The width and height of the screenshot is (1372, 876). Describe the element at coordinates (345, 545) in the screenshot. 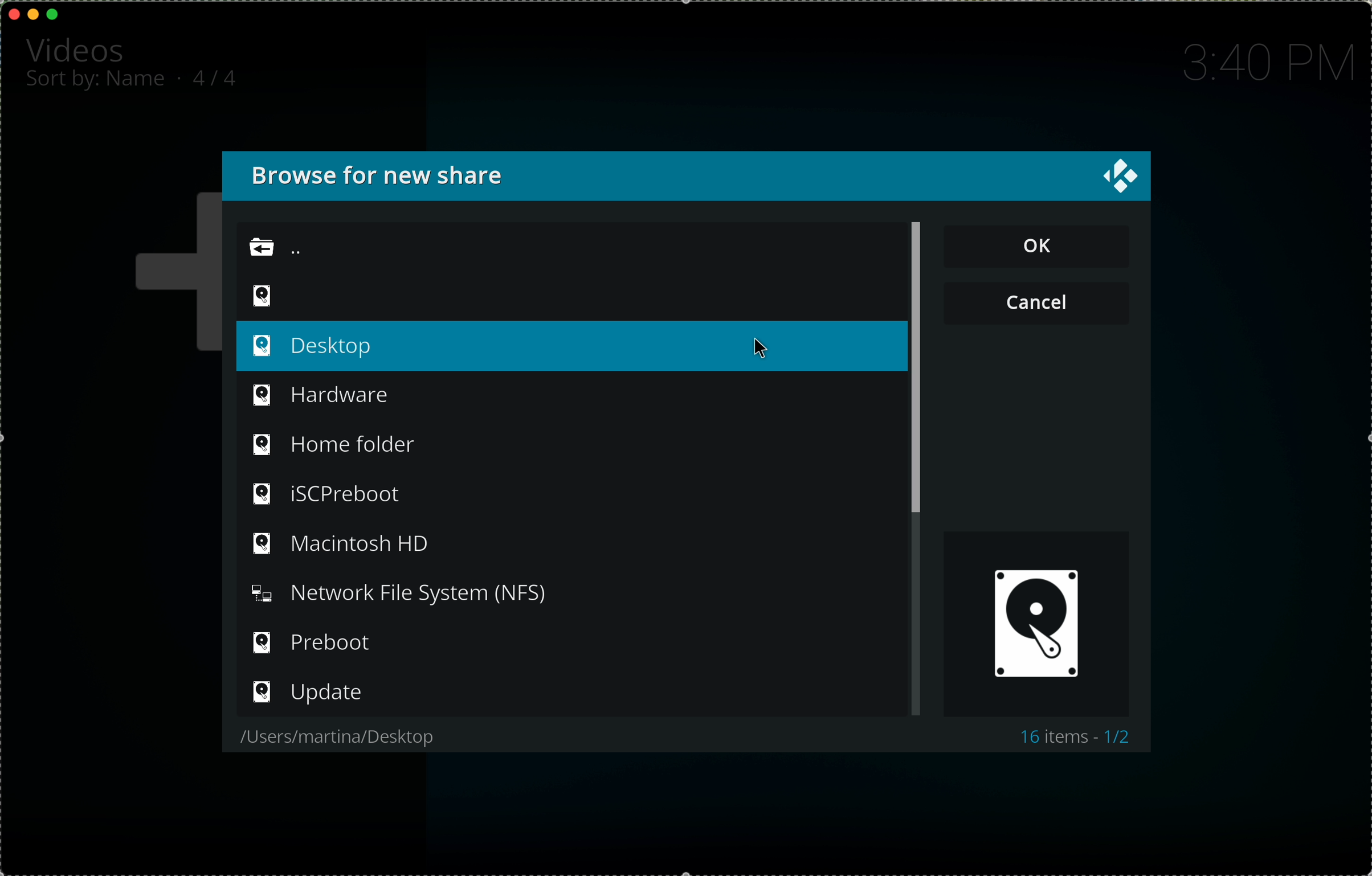

I see `Macintosh HD` at that location.